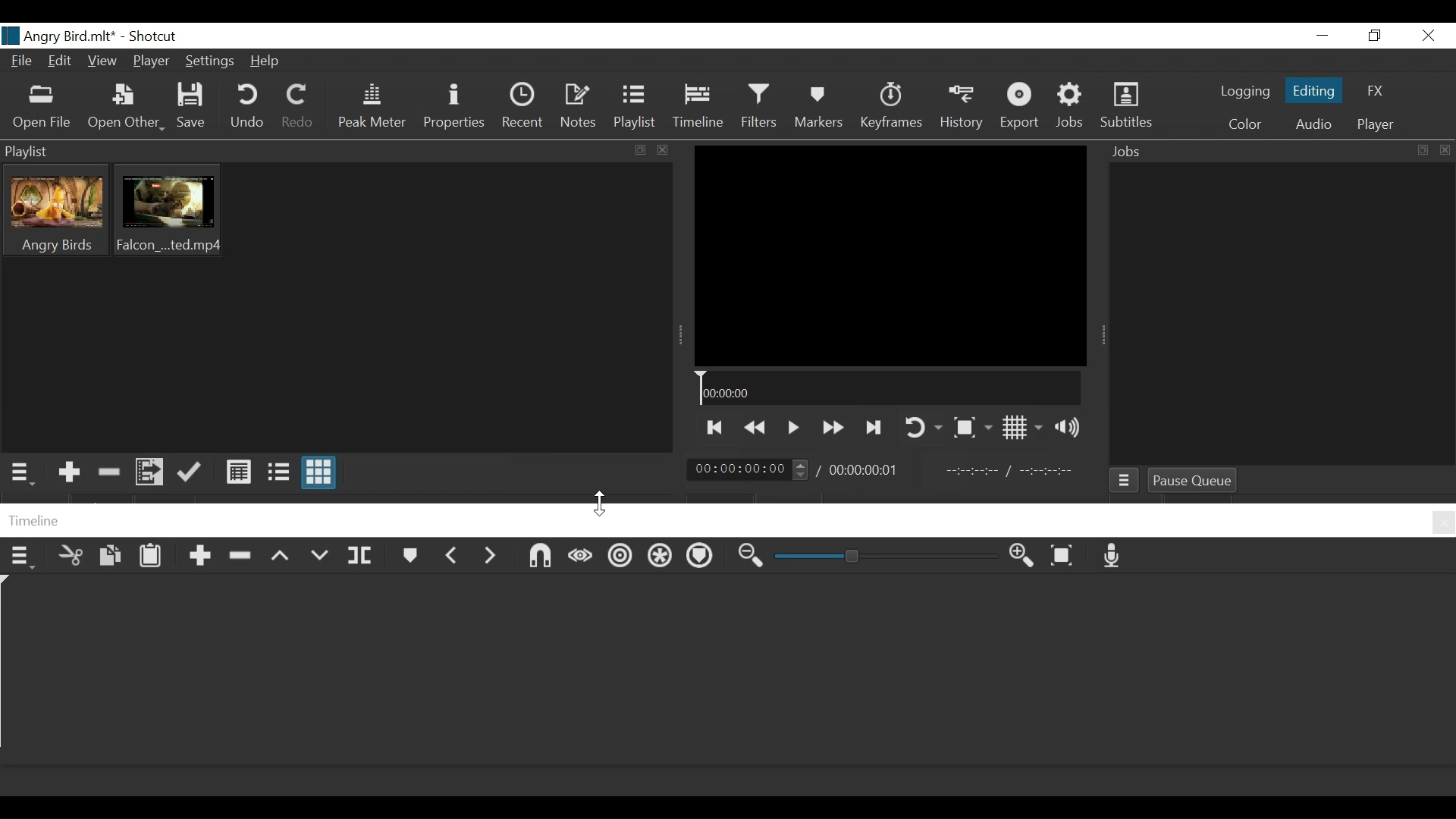 The width and height of the screenshot is (1456, 819). I want to click on Zoom timeline in, so click(748, 558).